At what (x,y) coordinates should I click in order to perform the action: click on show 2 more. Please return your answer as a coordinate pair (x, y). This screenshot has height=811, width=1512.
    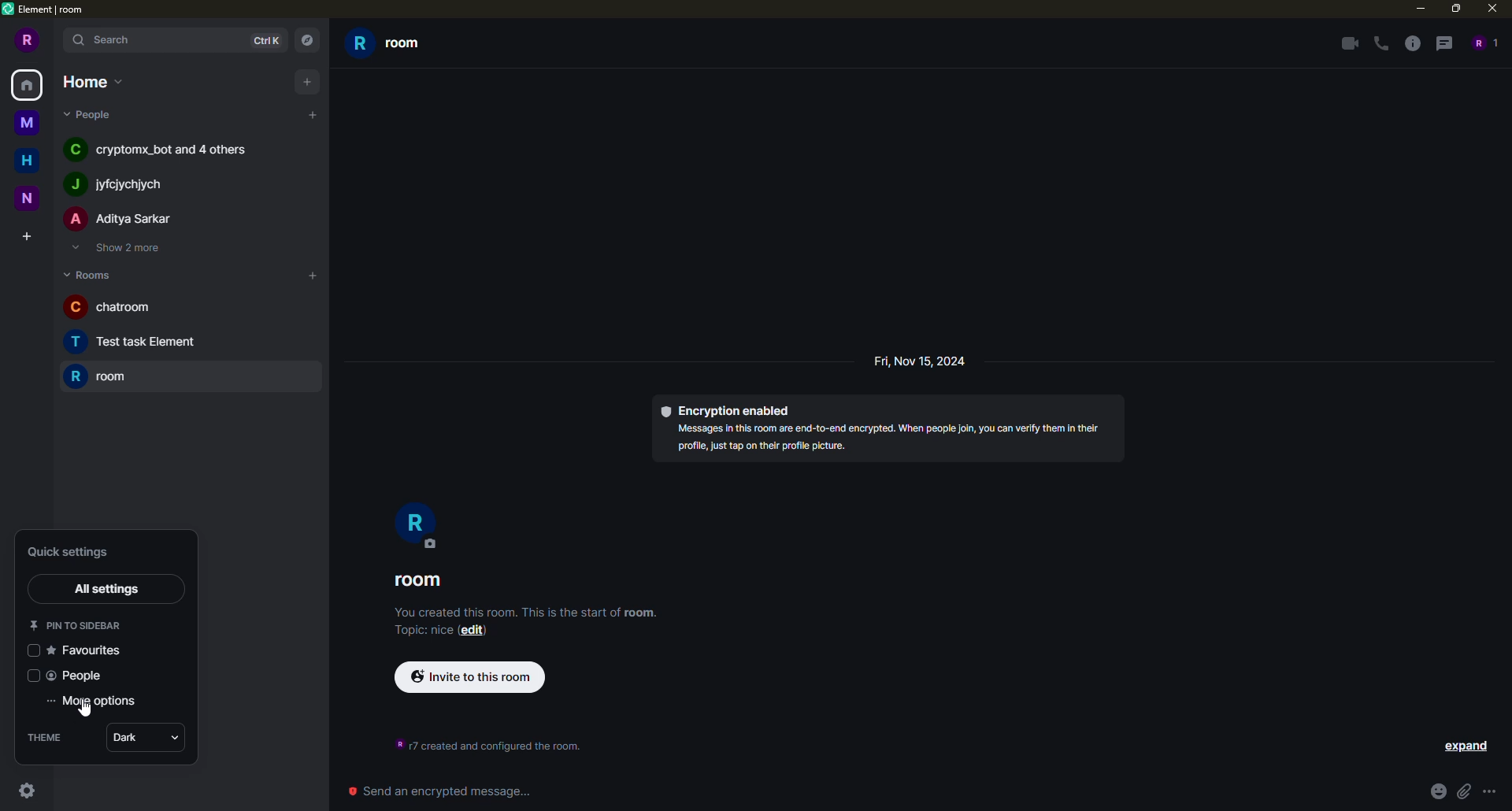
    Looking at the image, I should click on (120, 249).